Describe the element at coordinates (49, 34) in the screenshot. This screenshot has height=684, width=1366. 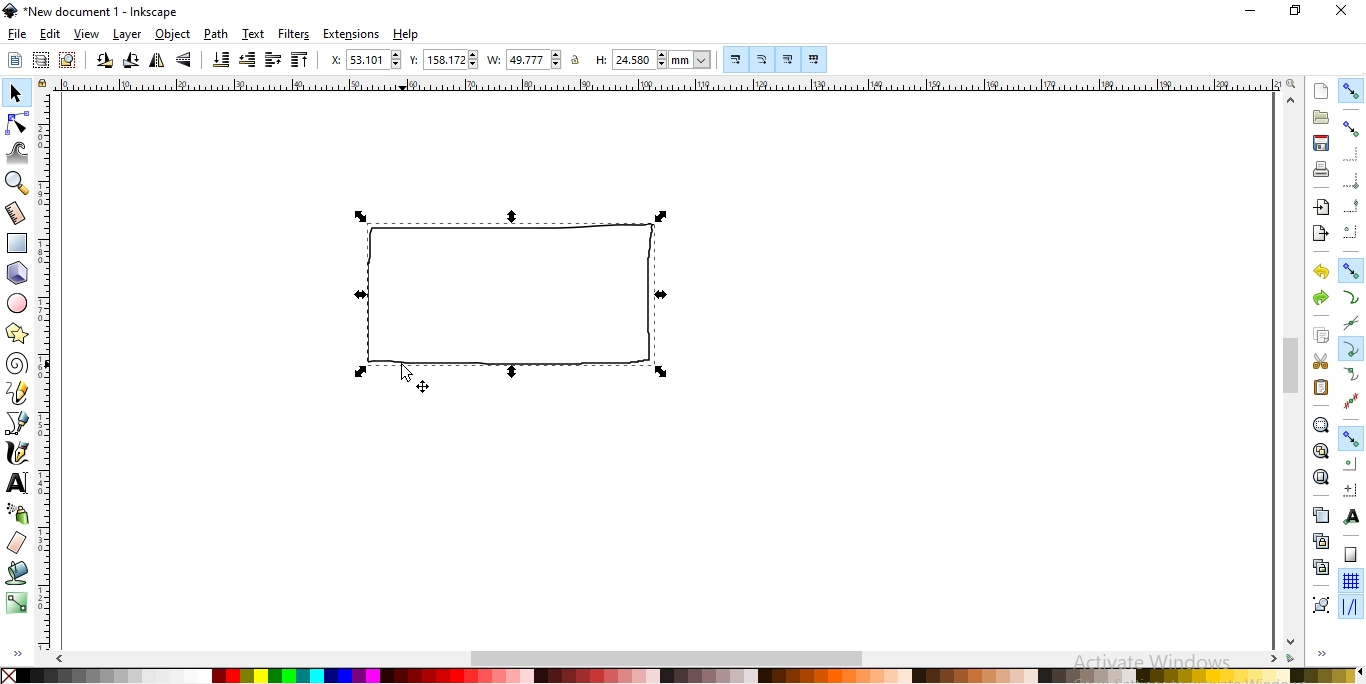
I see `edit` at that location.